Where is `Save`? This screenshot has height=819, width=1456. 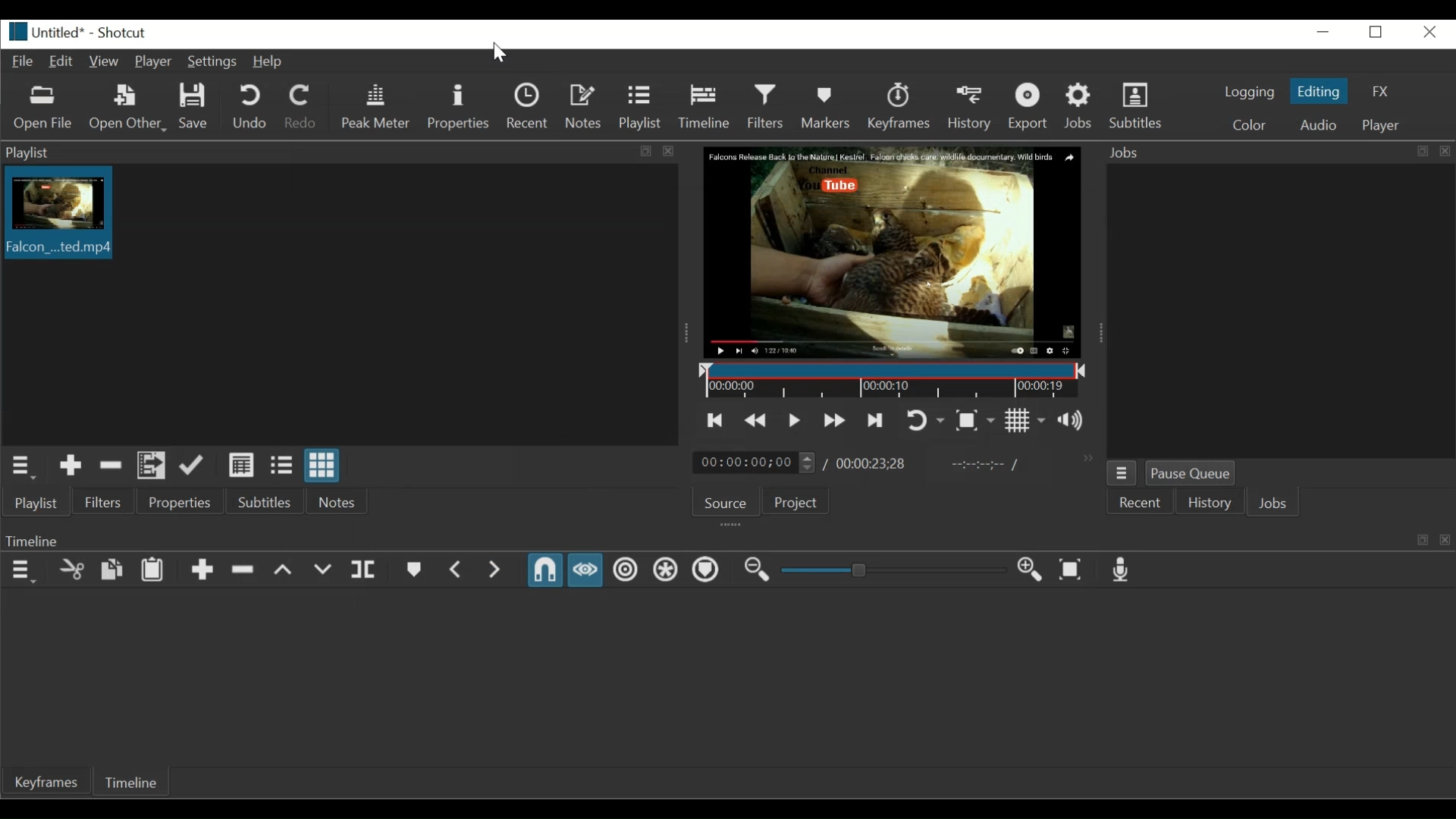
Save is located at coordinates (197, 106).